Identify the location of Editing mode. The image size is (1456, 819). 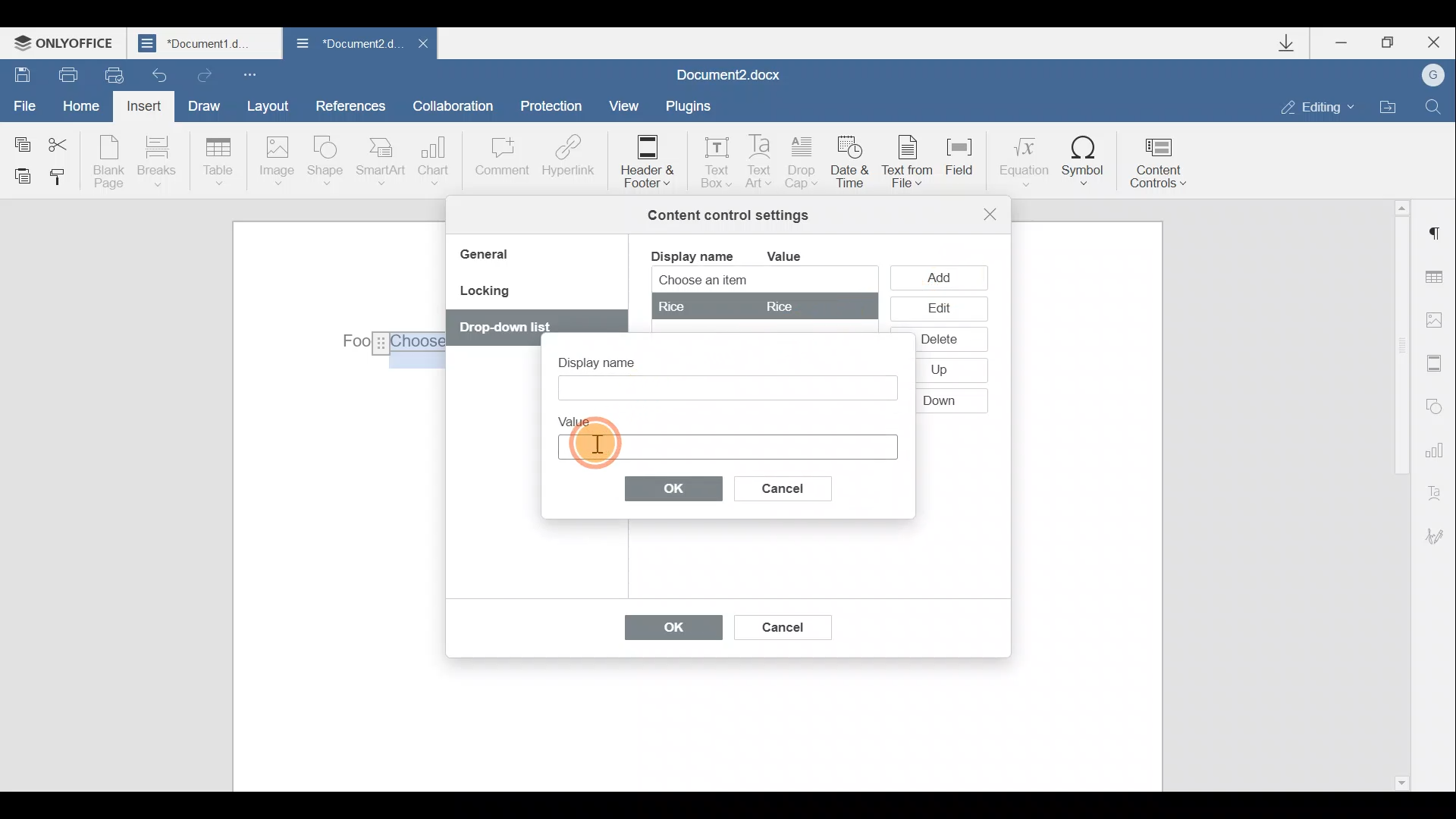
(1318, 106).